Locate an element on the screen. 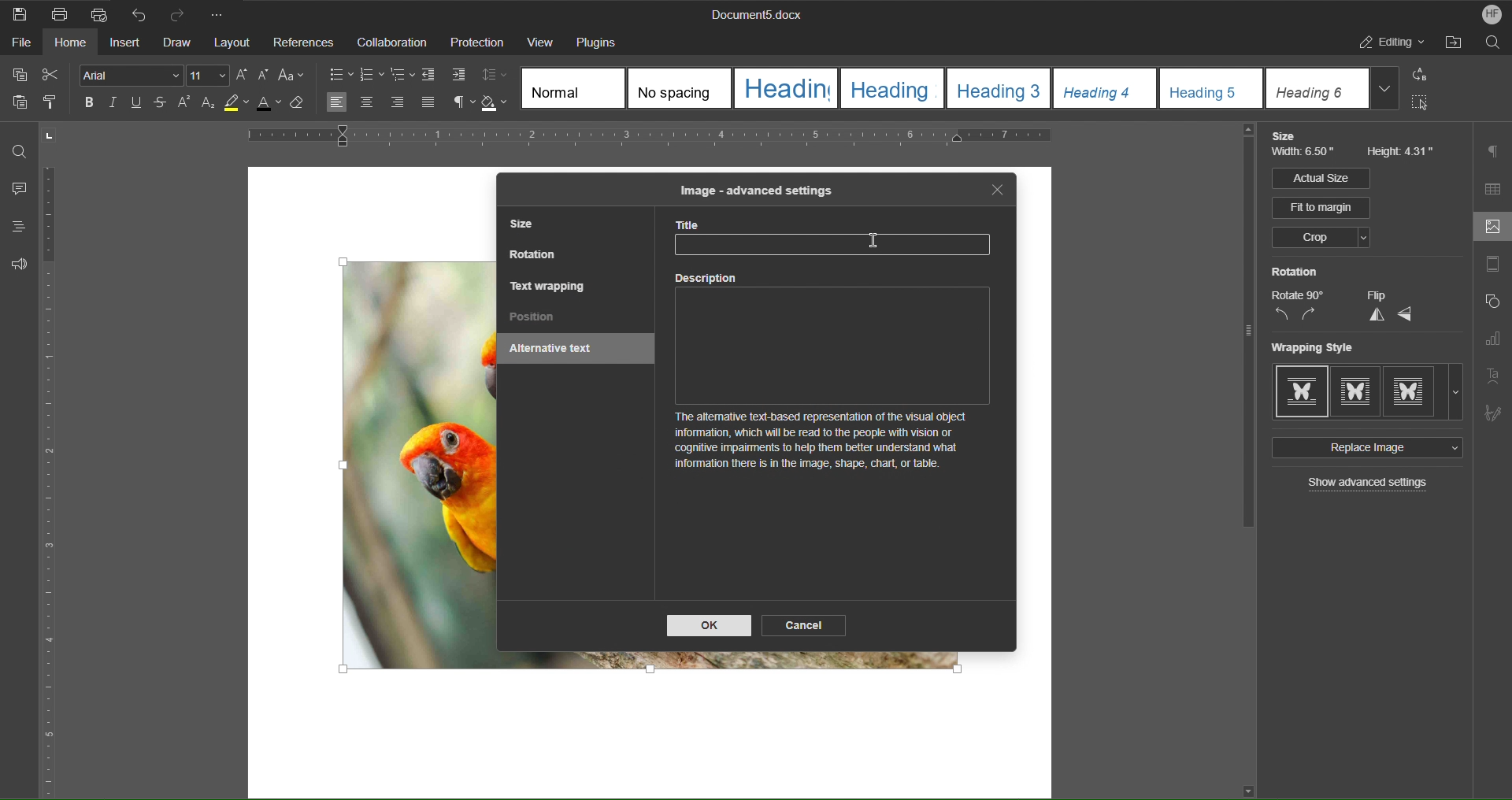 The width and height of the screenshot is (1512, 800). Strikethrough is located at coordinates (161, 105).